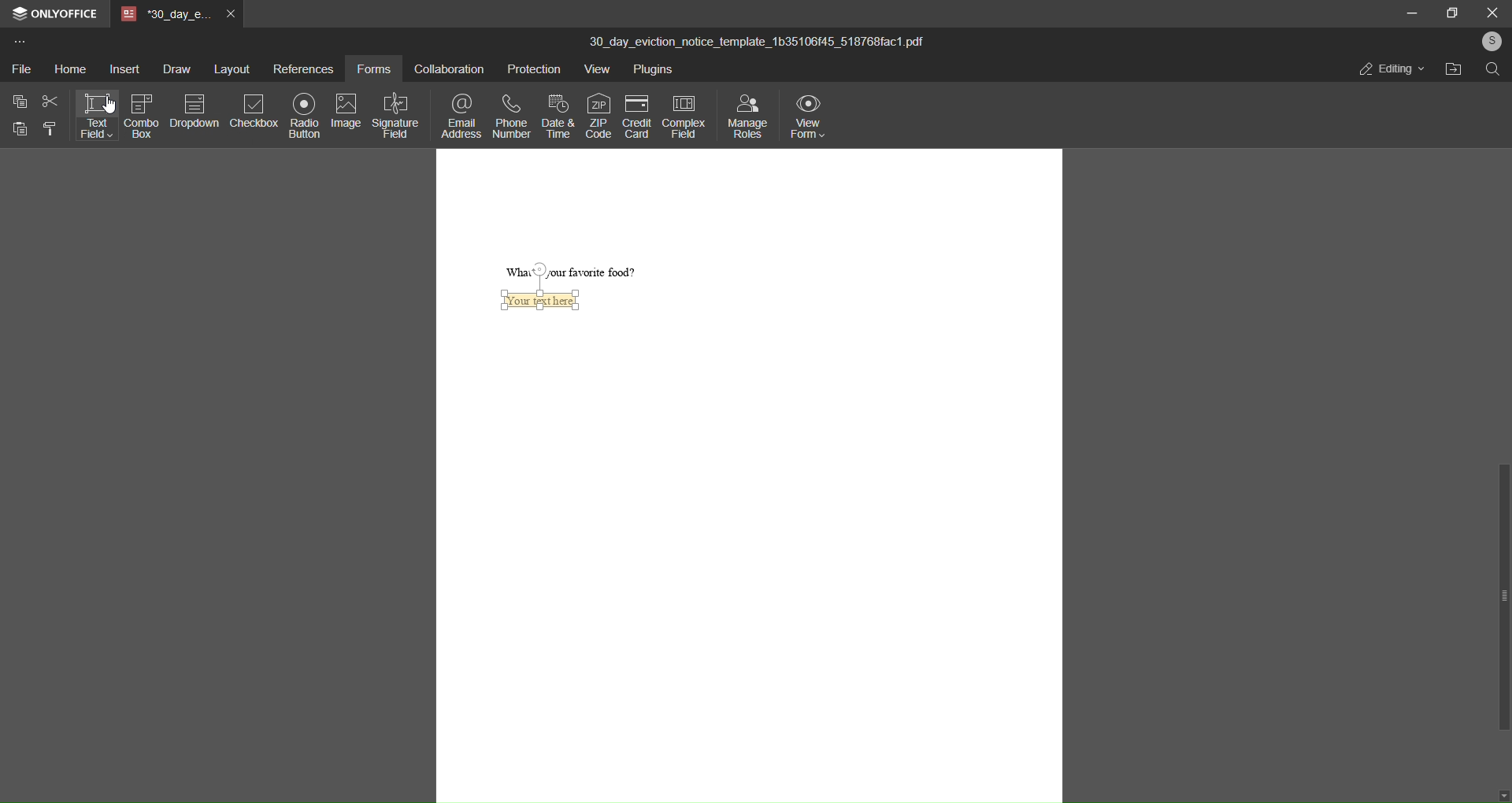 The width and height of the screenshot is (1512, 803). What do you see at coordinates (20, 103) in the screenshot?
I see `copy` at bounding box center [20, 103].